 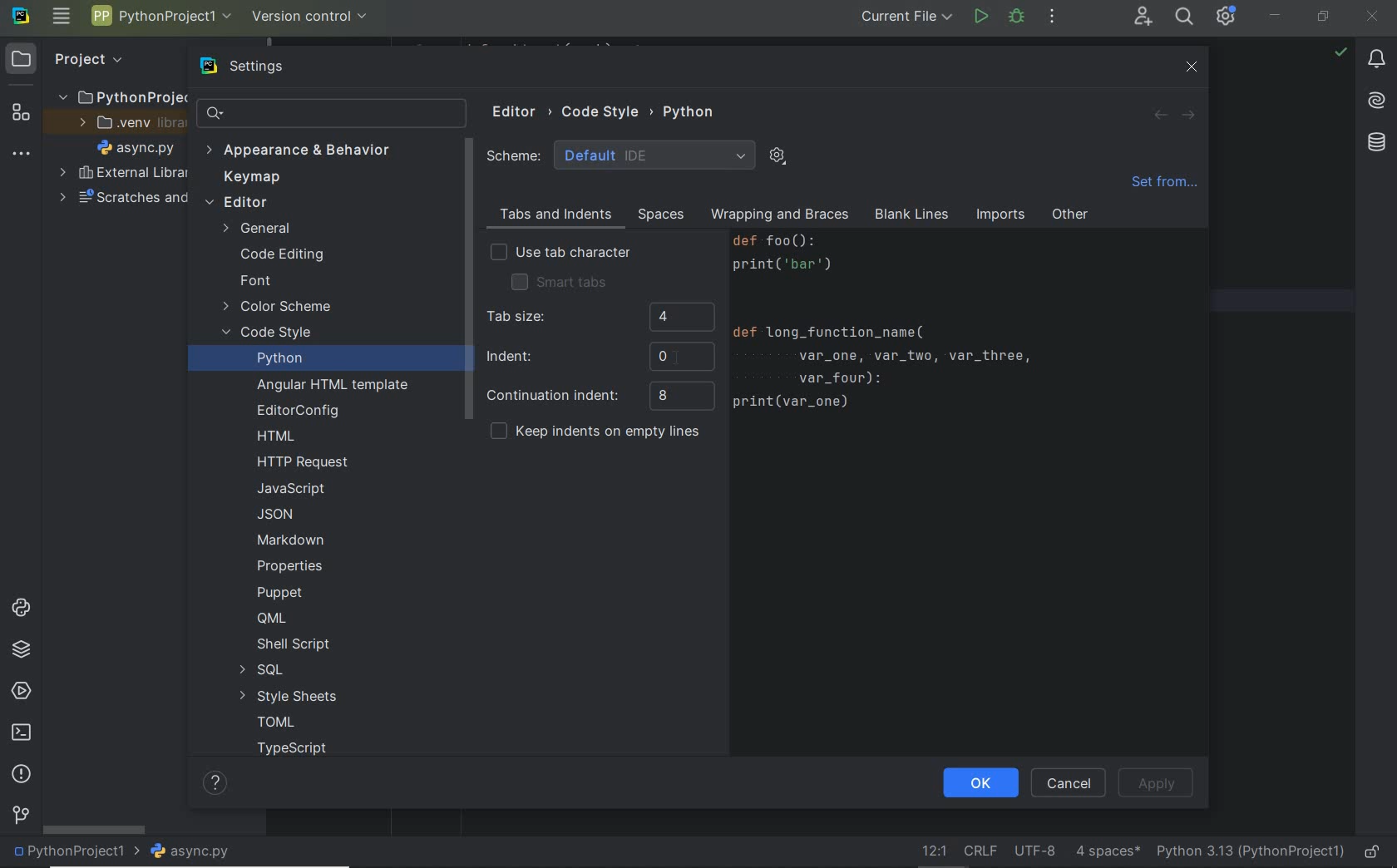 What do you see at coordinates (1161, 116) in the screenshot?
I see `back` at bounding box center [1161, 116].